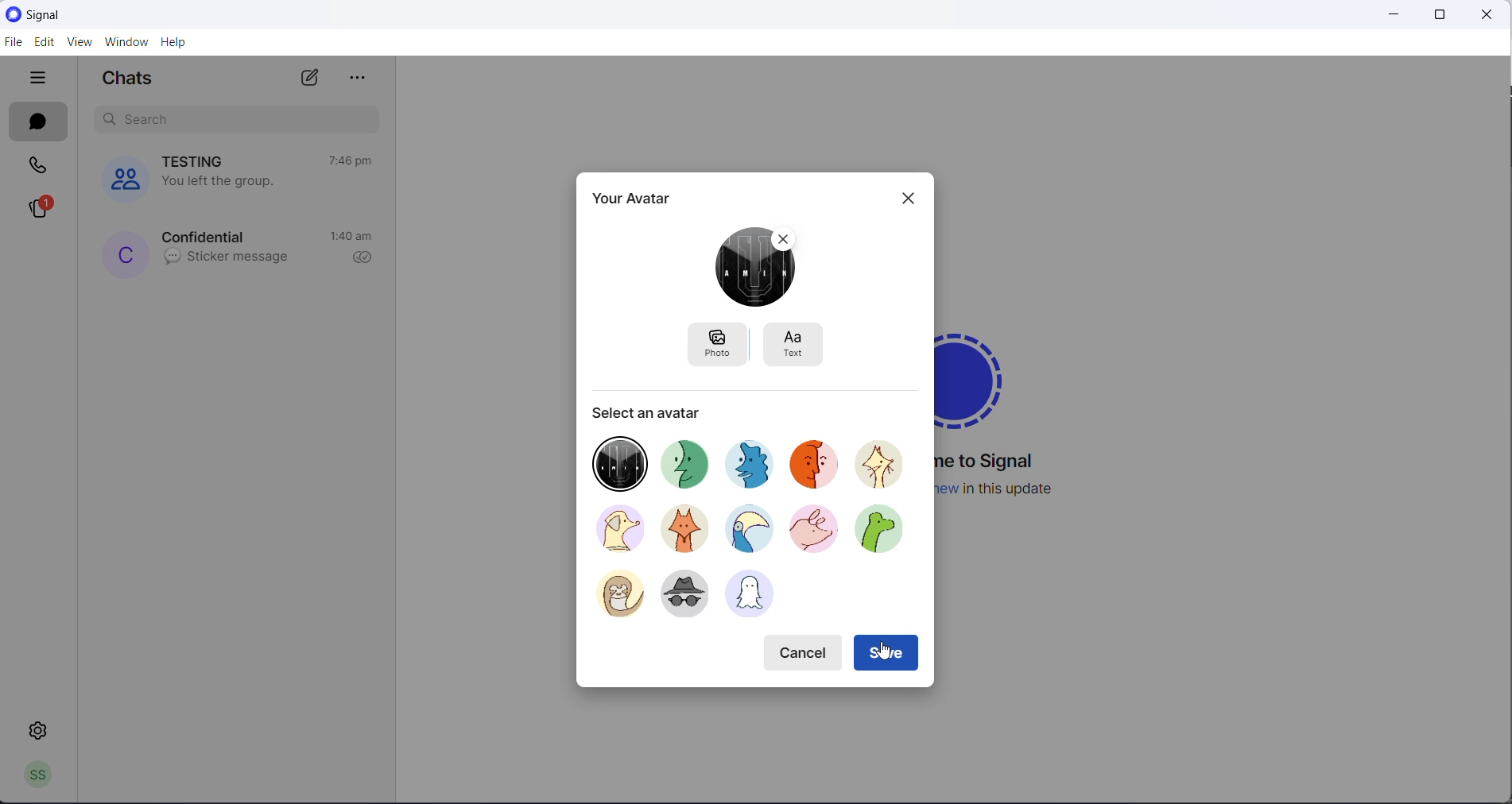 Image resolution: width=1512 pixels, height=804 pixels. What do you see at coordinates (993, 462) in the screenshot?
I see `welcome message` at bounding box center [993, 462].